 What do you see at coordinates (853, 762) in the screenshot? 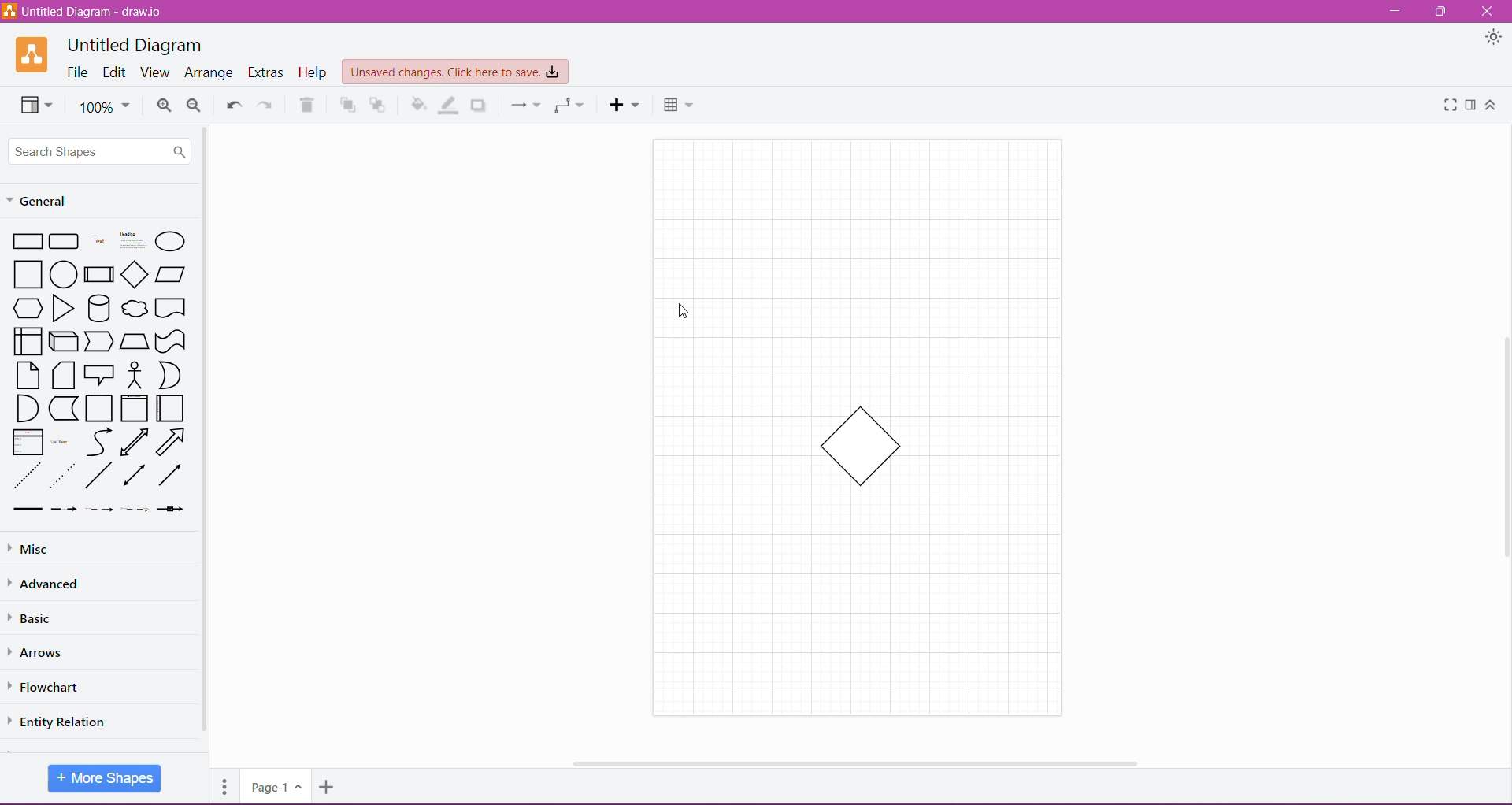
I see `Horizontal Scroll Bar` at bounding box center [853, 762].